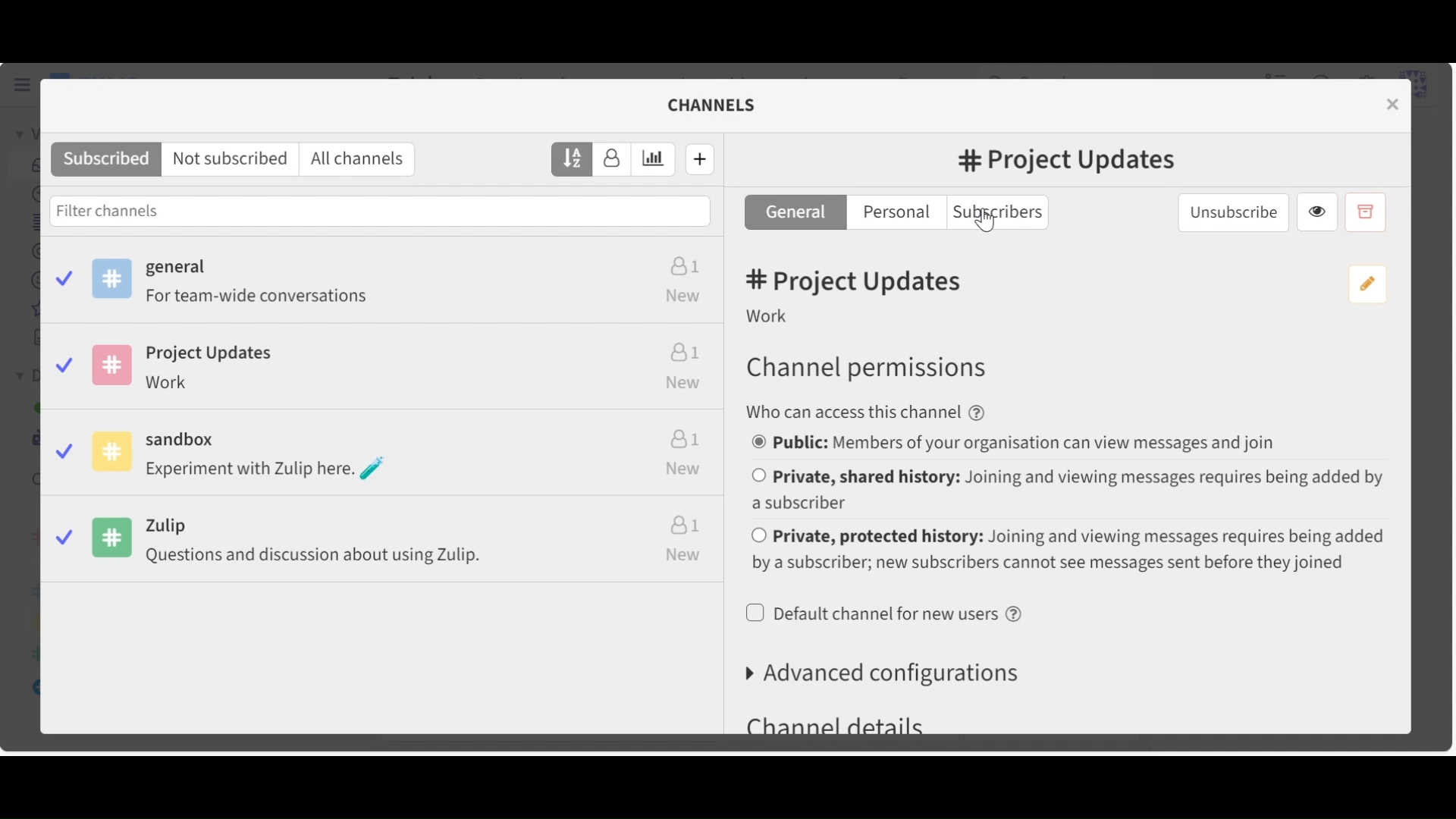 The image size is (1456, 819). What do you see at coordinates (872, 413) in the screenshot?
I see `text` at bounding box center [872, 413].